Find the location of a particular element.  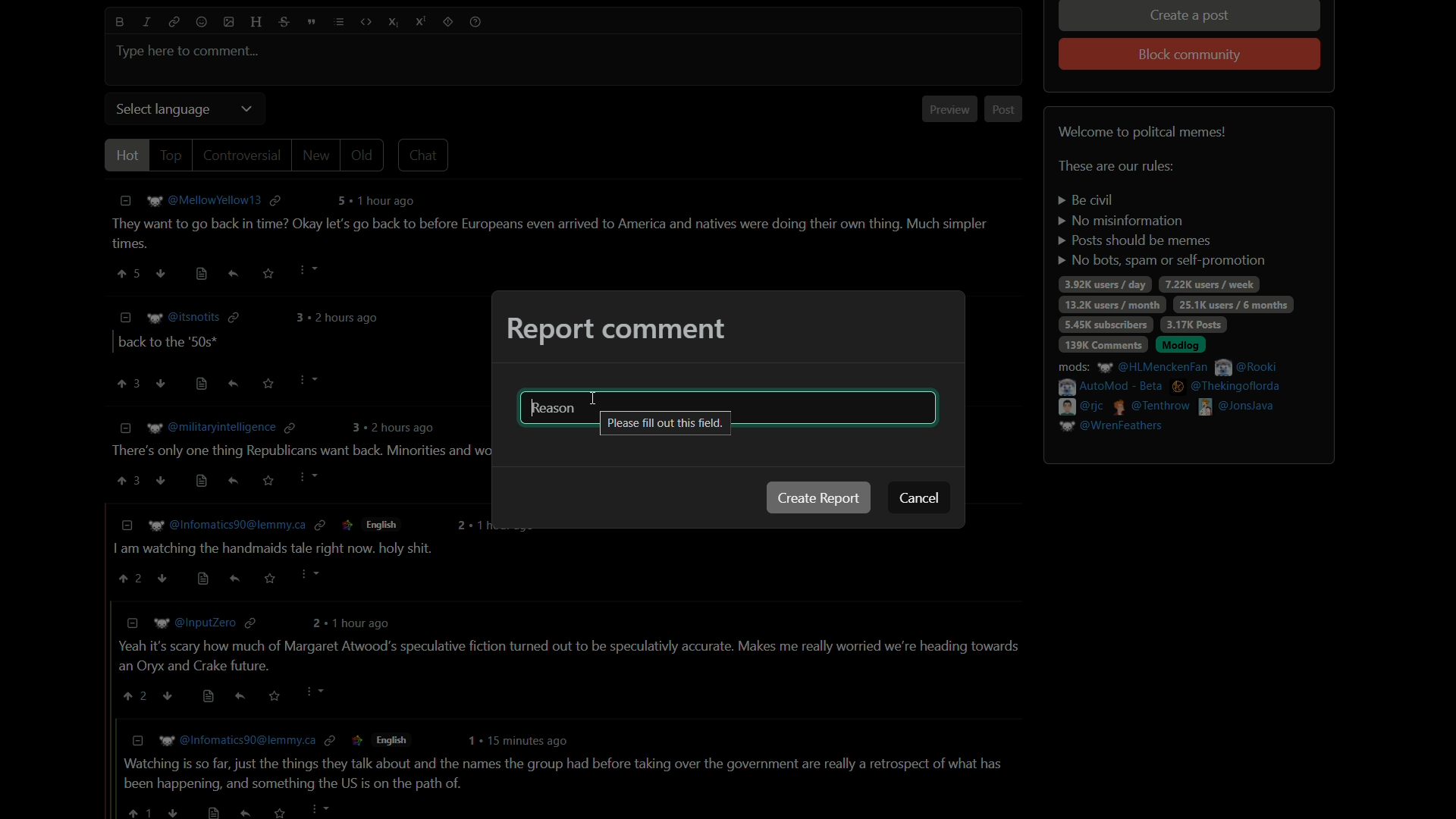

quote is located at coordinates (311, 21).